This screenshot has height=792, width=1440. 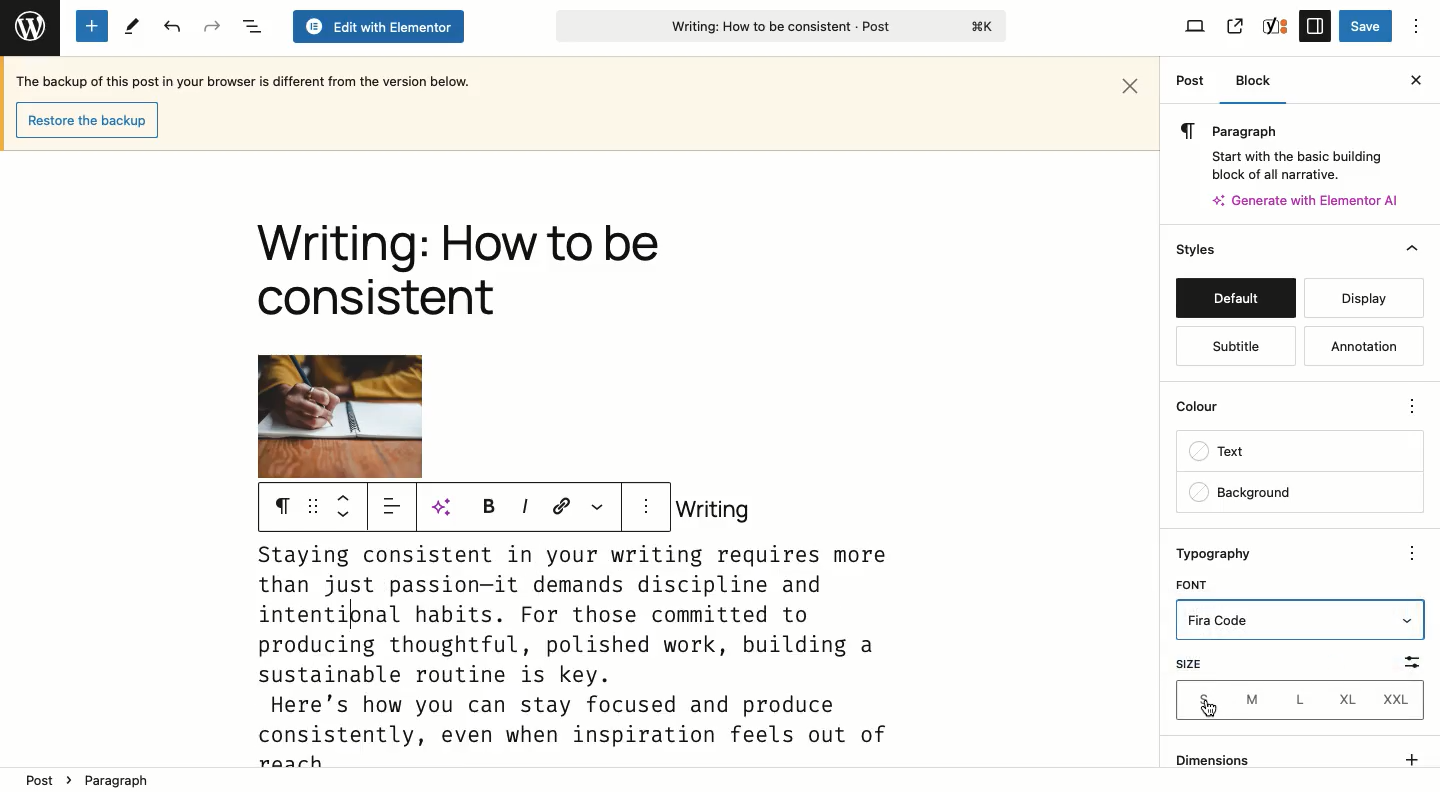 What do you see at coordinates (1190, 82) in the screenshot?
I see `Post` at bounding box center [1190, 82].